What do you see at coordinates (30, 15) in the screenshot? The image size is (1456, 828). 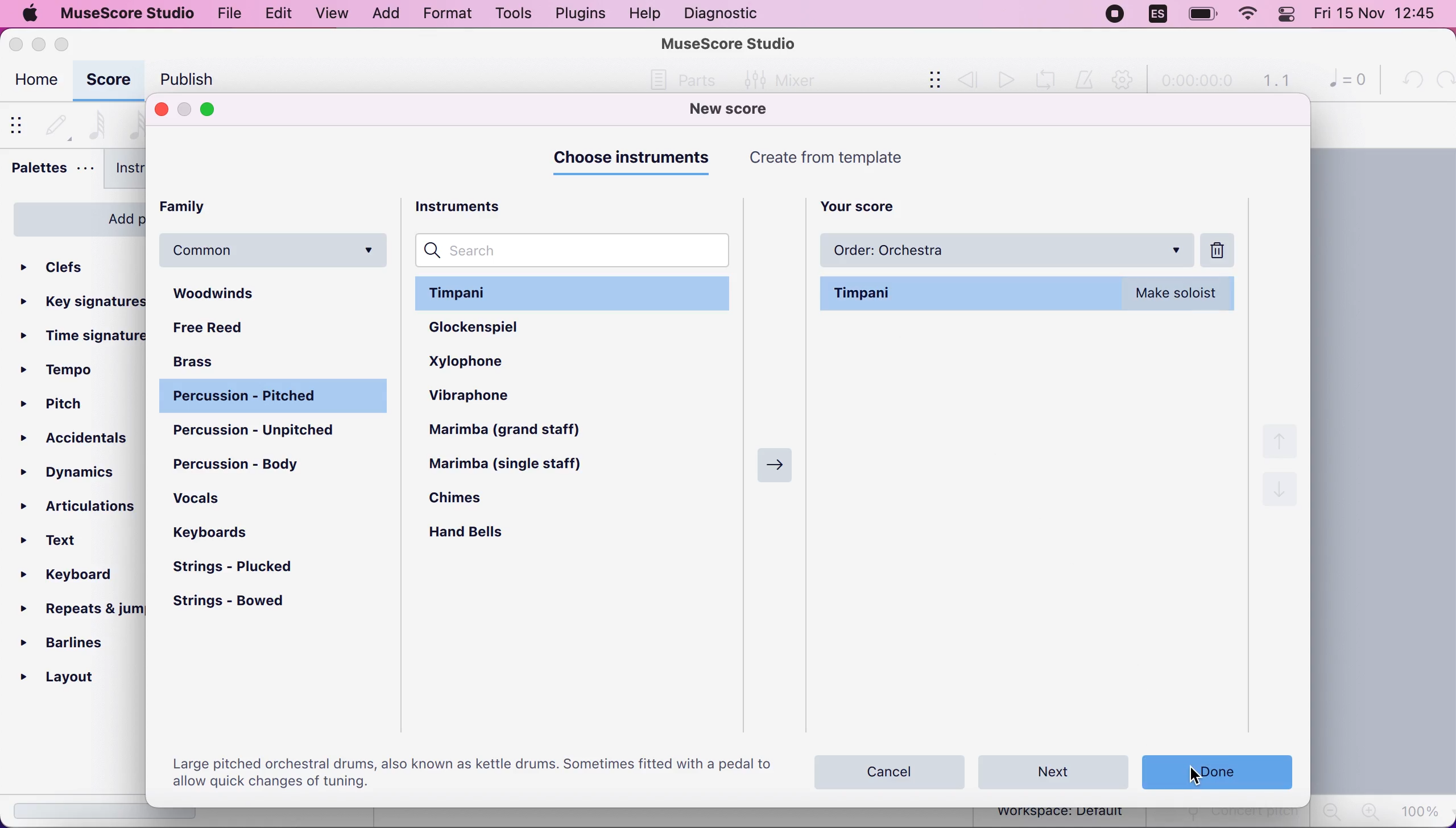 I see `mac logo` at bounding box center [30, 15].